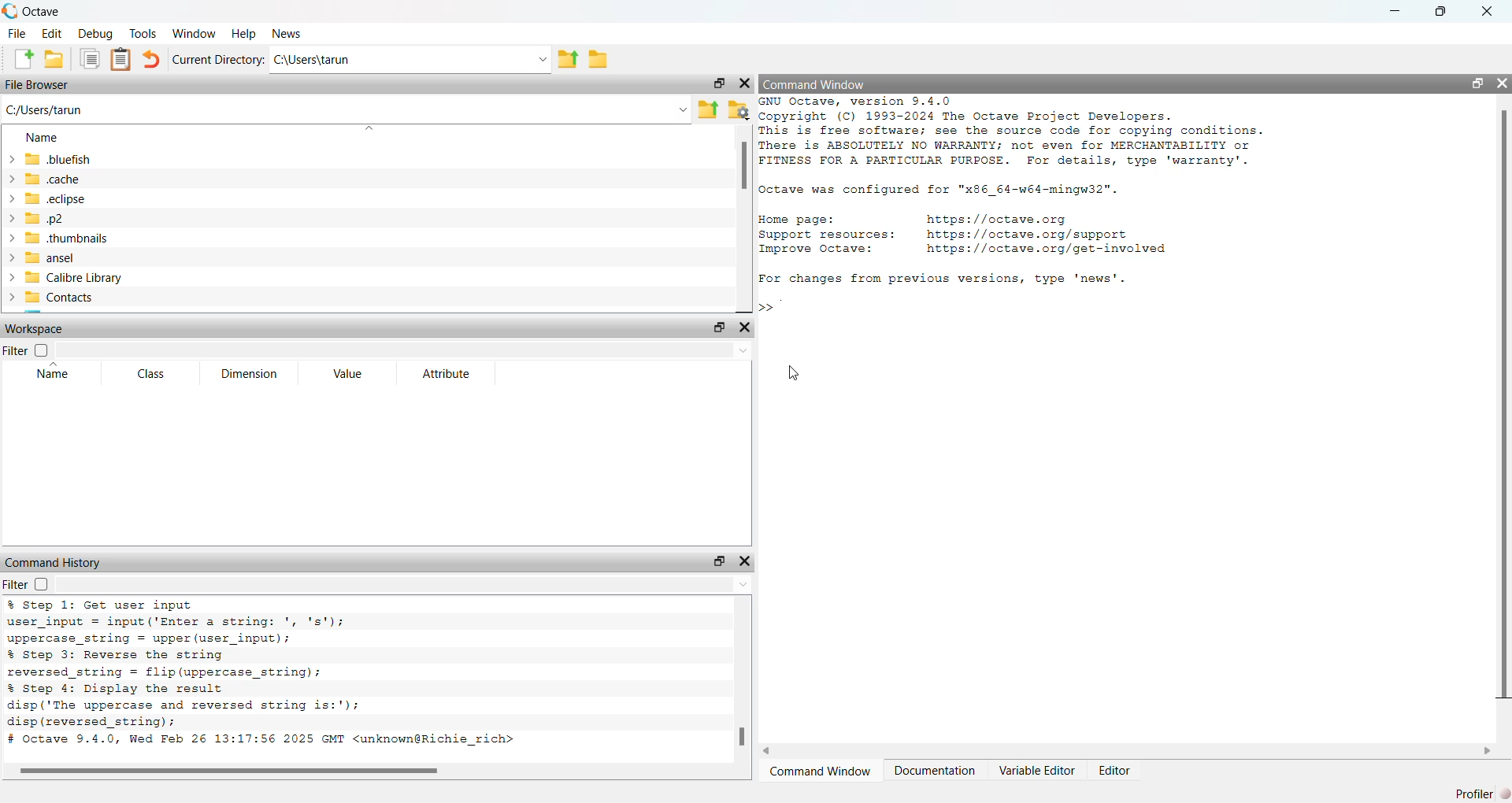 This screenshot has height=803, width=1512. What do you see at coordinates (121, 60) in the screenshot?
I see `paste` at bounding box center [121, 60].